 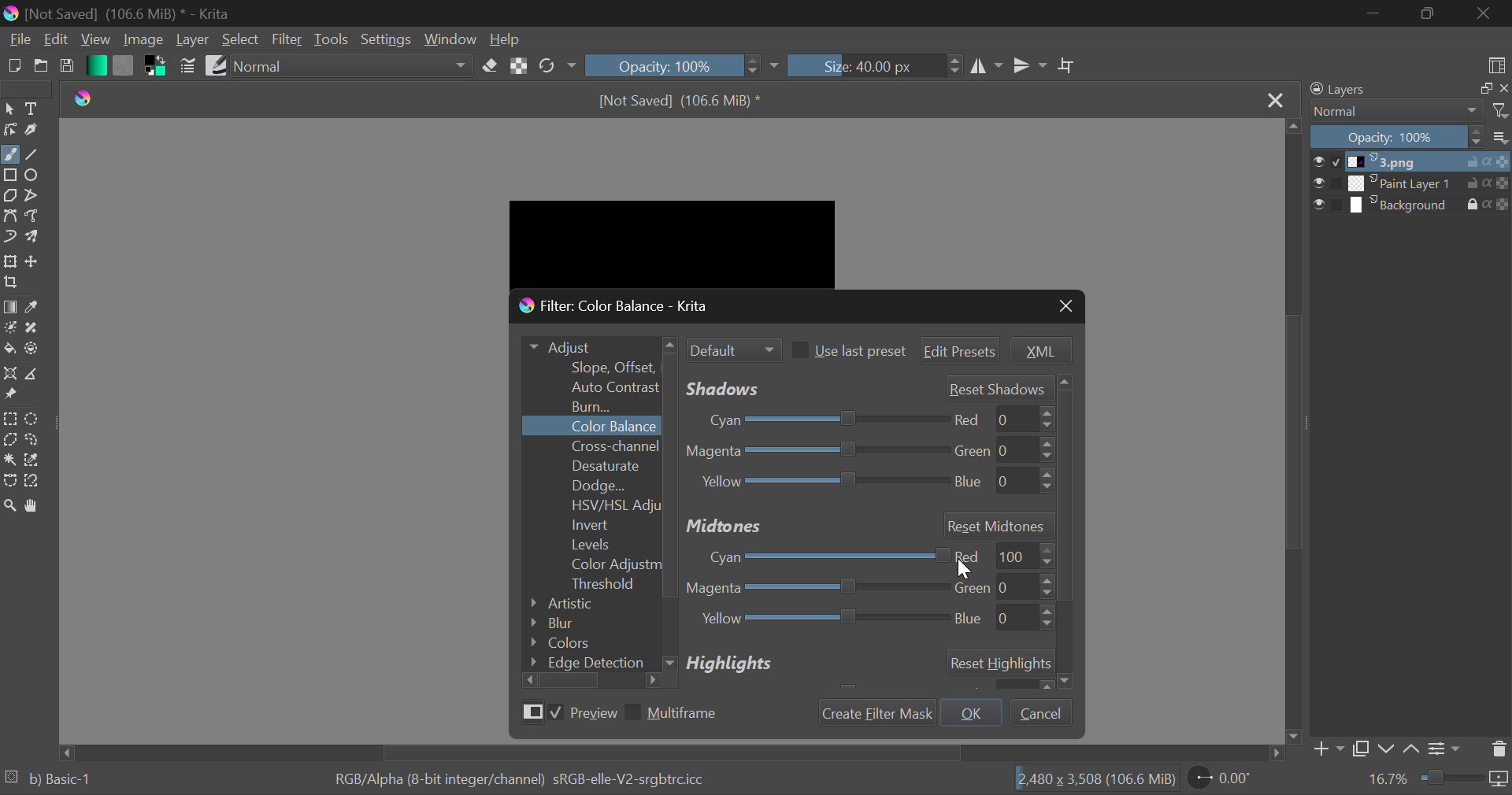 What do you see at coordinates (677, 713) in the screenshot?
I see `Multiframe` at bounding box center [677, 713].